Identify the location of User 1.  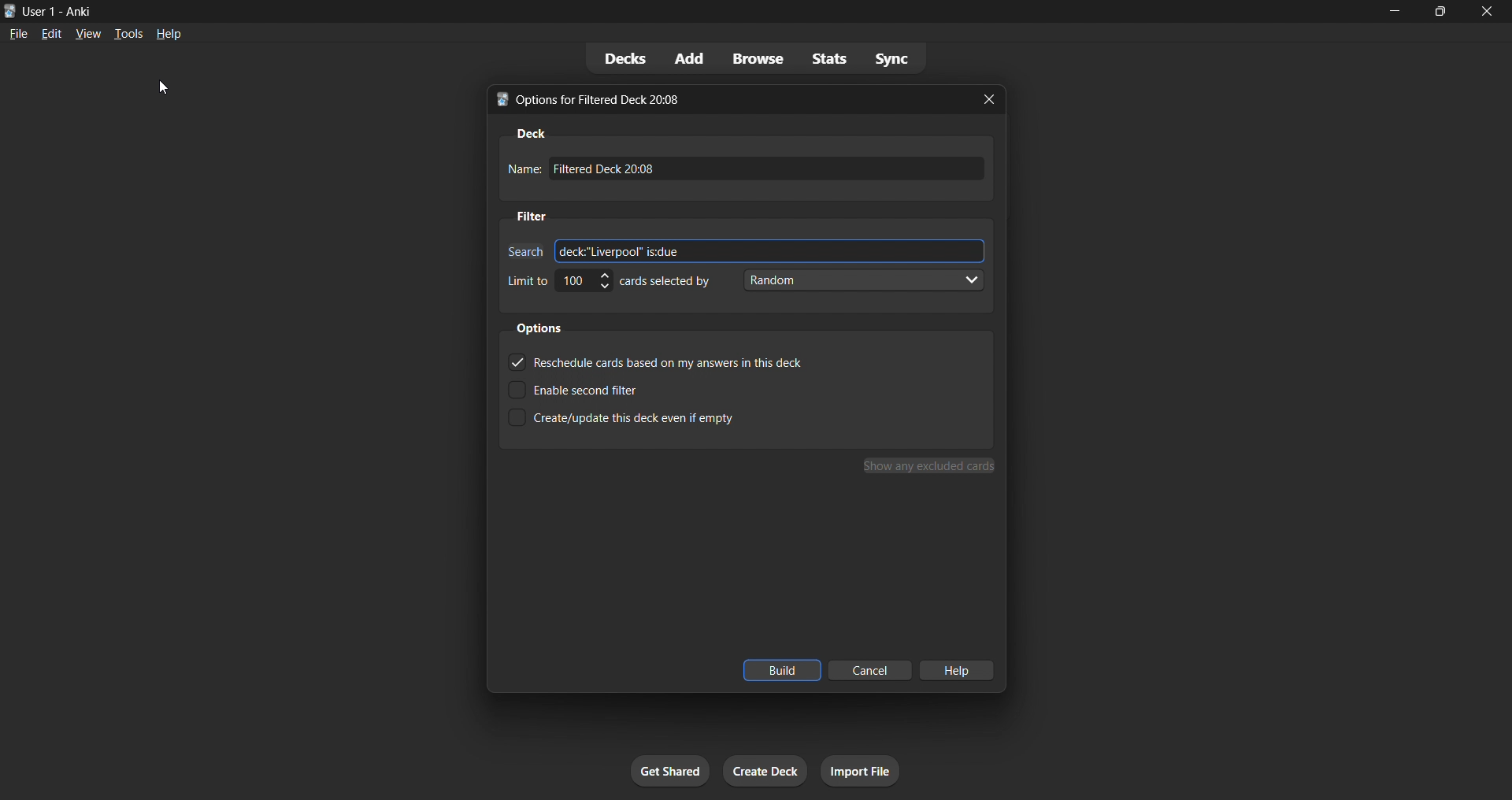
(39, 10).